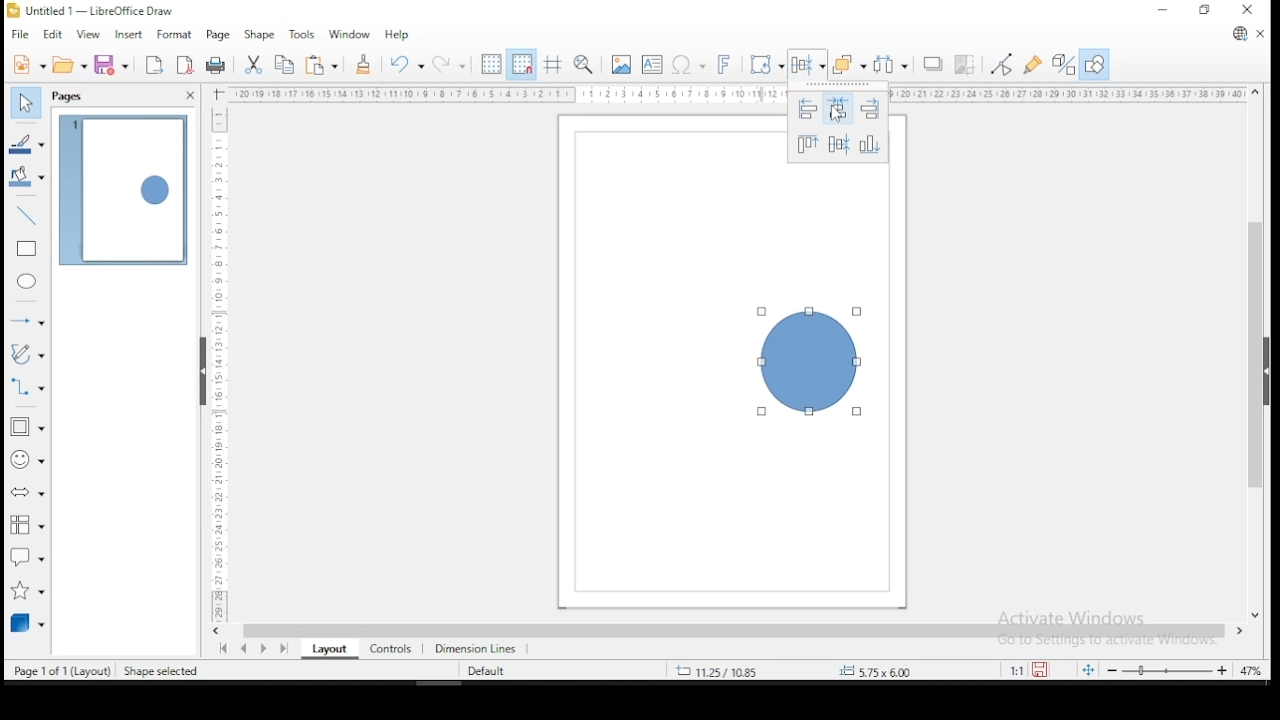 This screenshot has height=720, width=1280. Describe the element at coordinates (964, 66) in the screenshot. I see `crop` at that location.